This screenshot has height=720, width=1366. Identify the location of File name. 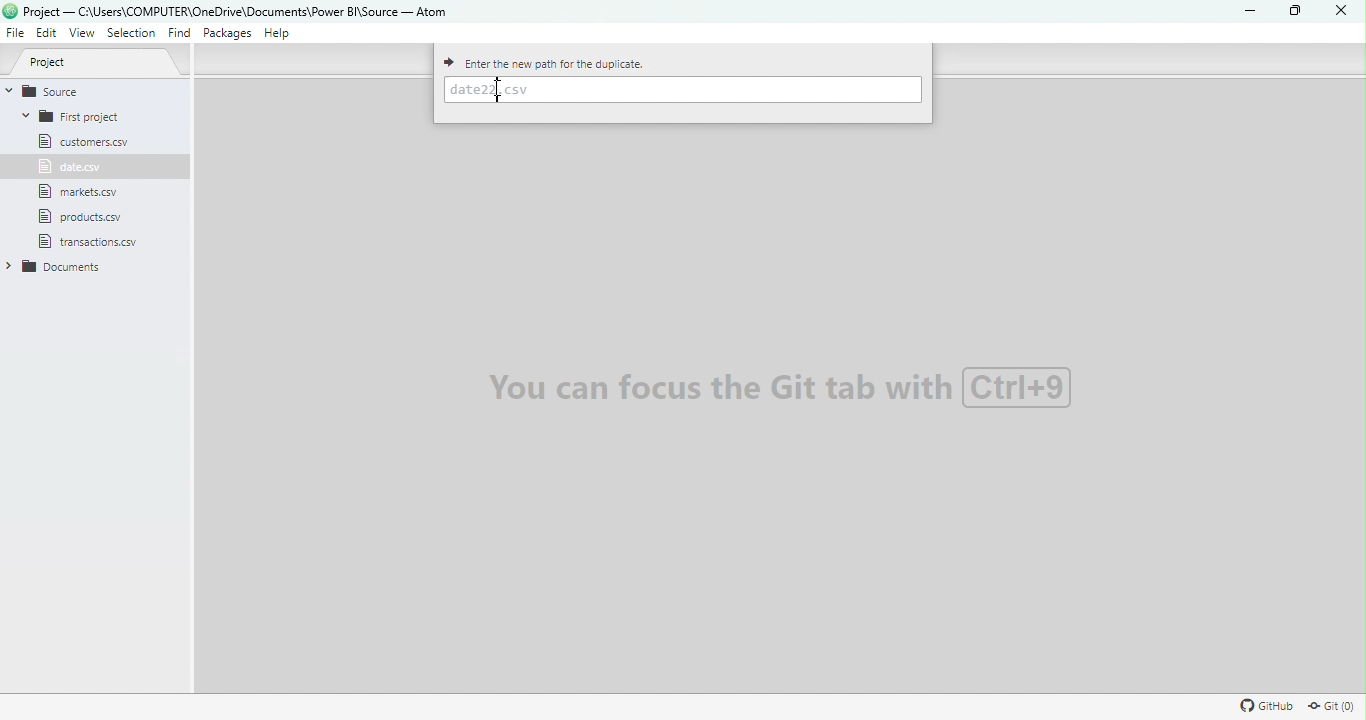
(238, 10).